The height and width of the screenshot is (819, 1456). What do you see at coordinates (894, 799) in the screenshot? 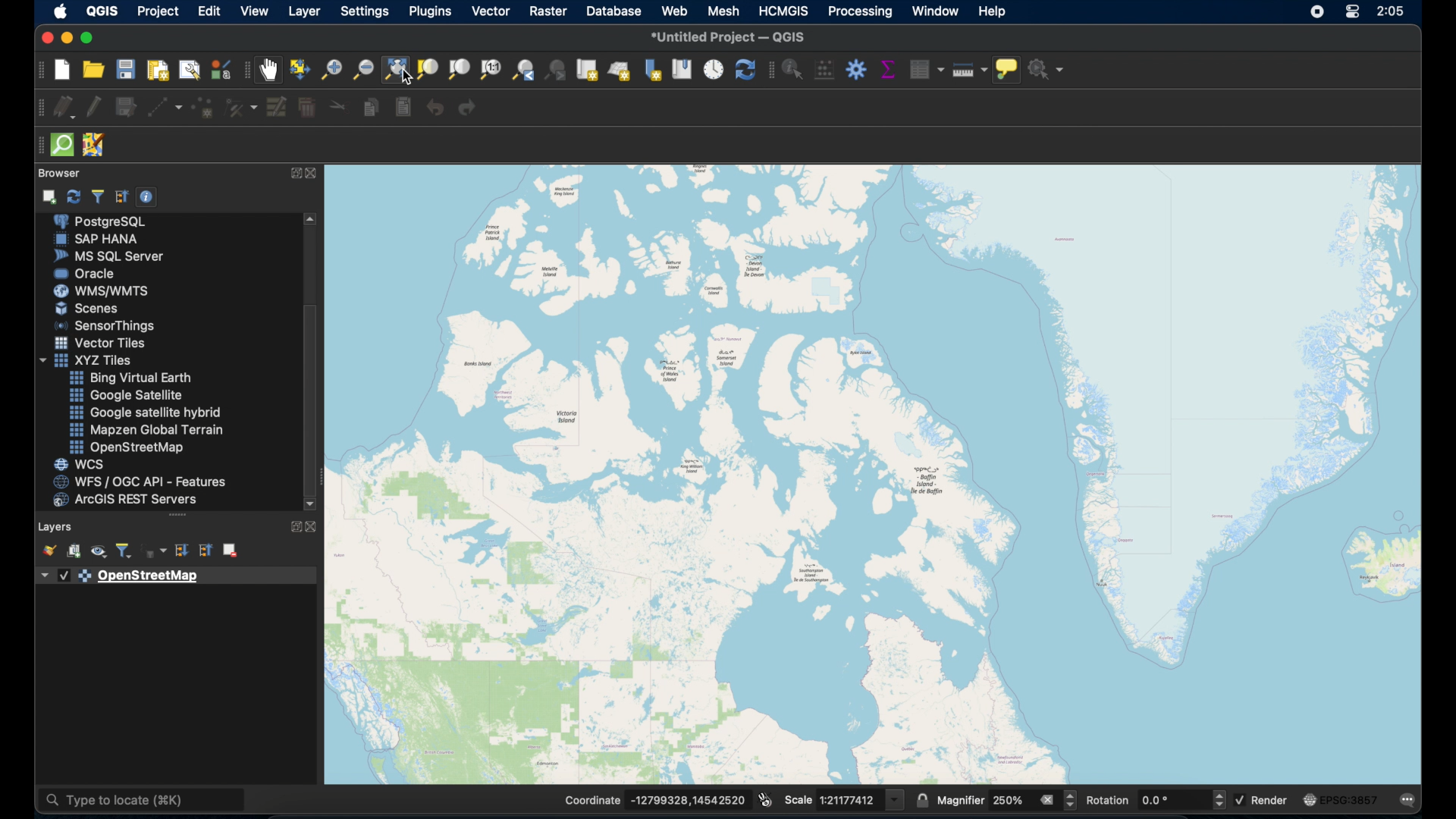
I see `` at bounding box center [894, 799].